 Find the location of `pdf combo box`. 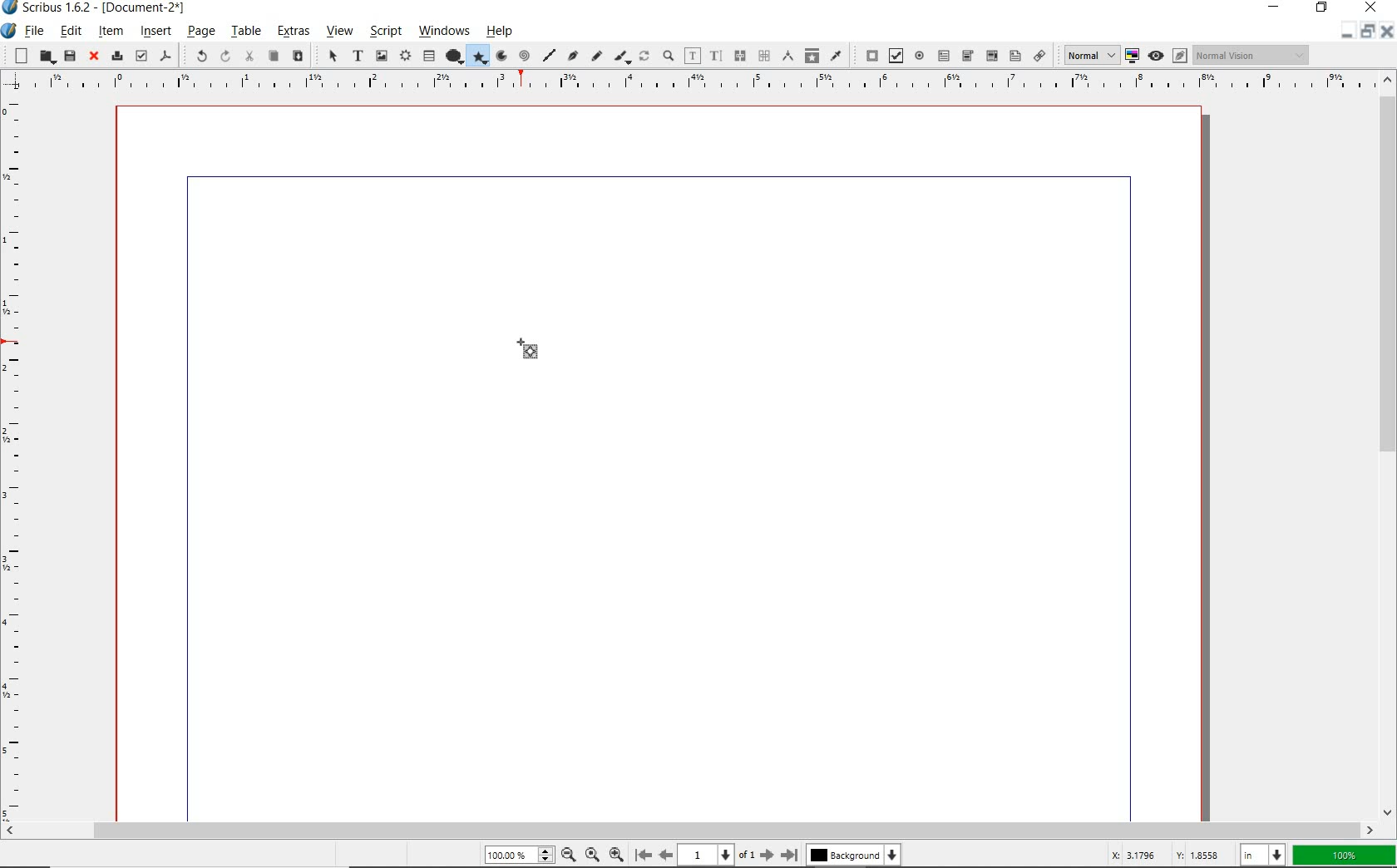

pdf combo box is located at coordinates (967, 56).